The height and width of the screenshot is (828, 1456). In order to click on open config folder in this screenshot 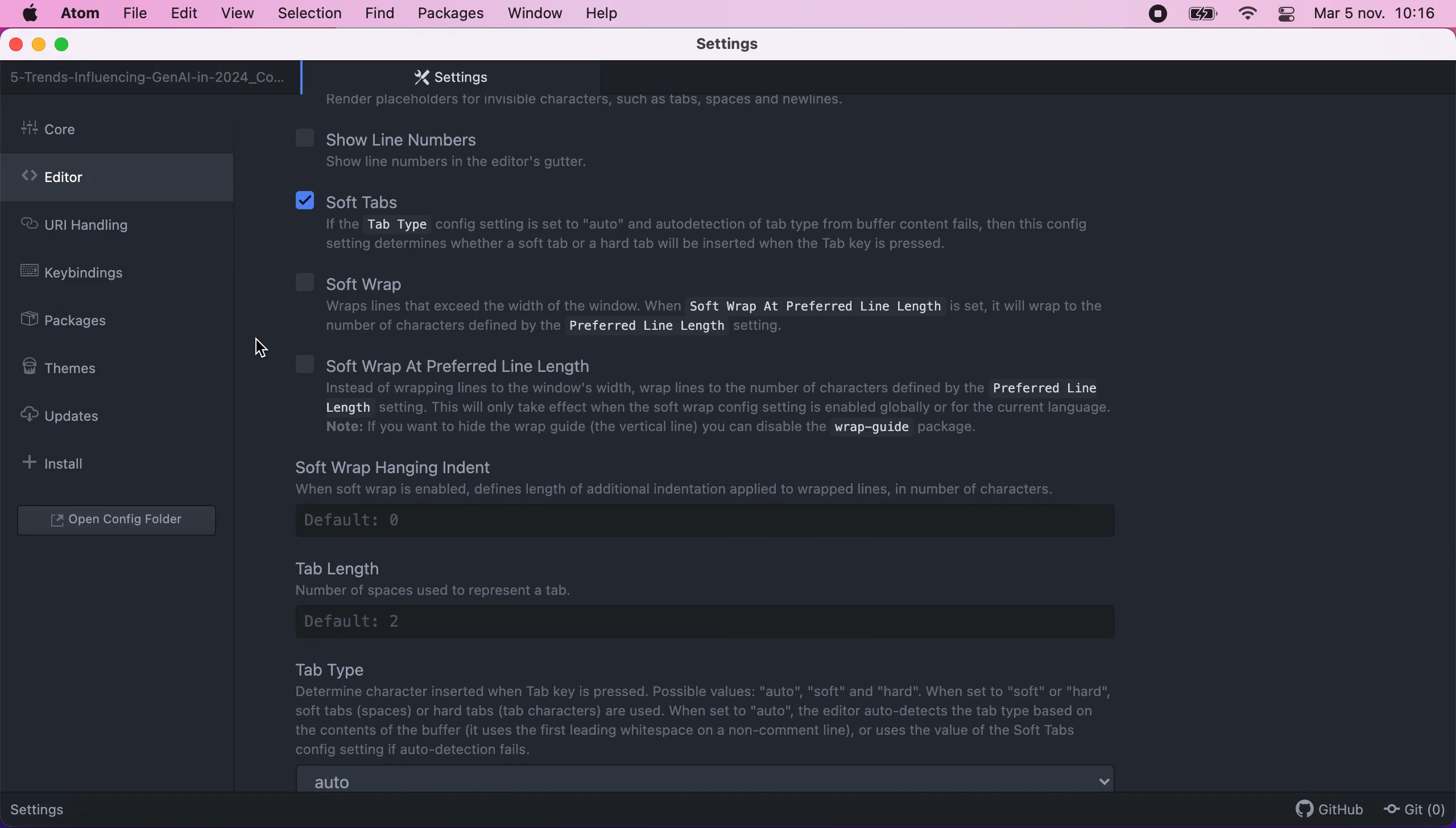, I will do `click(119, 521)`.